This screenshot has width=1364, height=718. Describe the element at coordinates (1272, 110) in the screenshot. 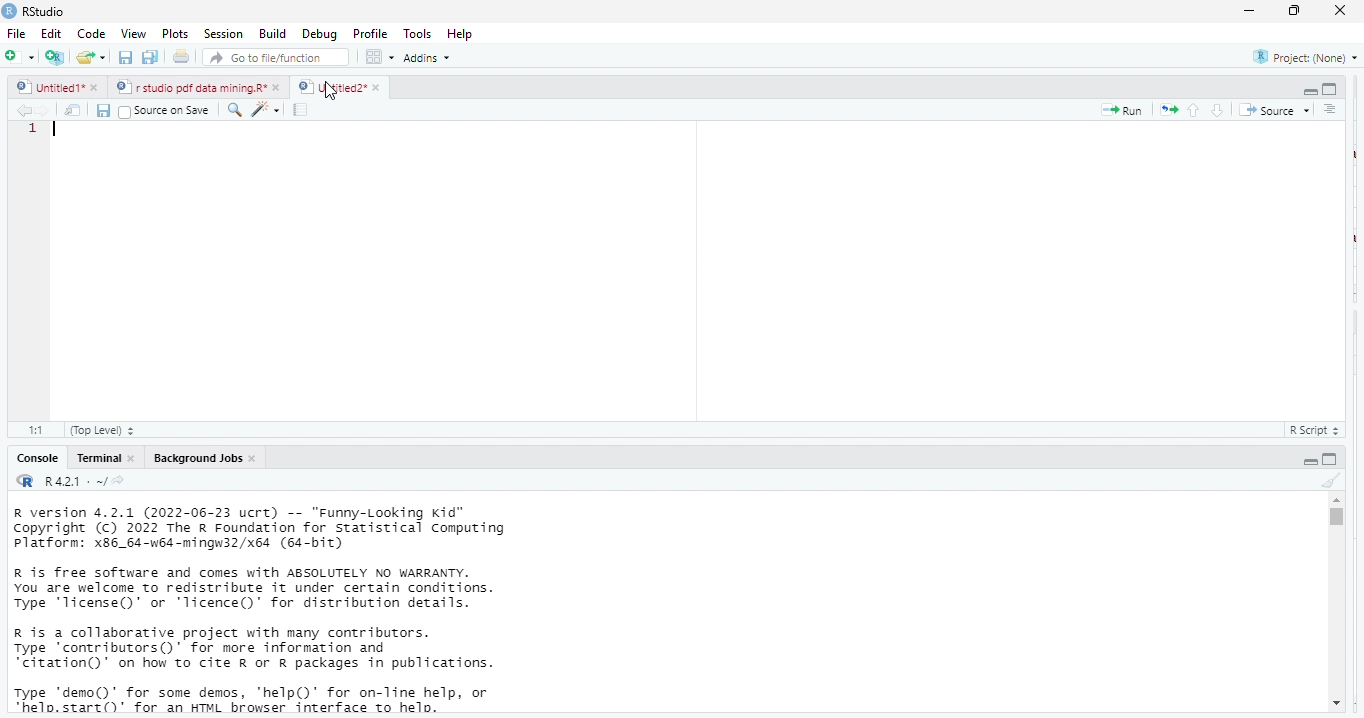

I see `source` at that location.